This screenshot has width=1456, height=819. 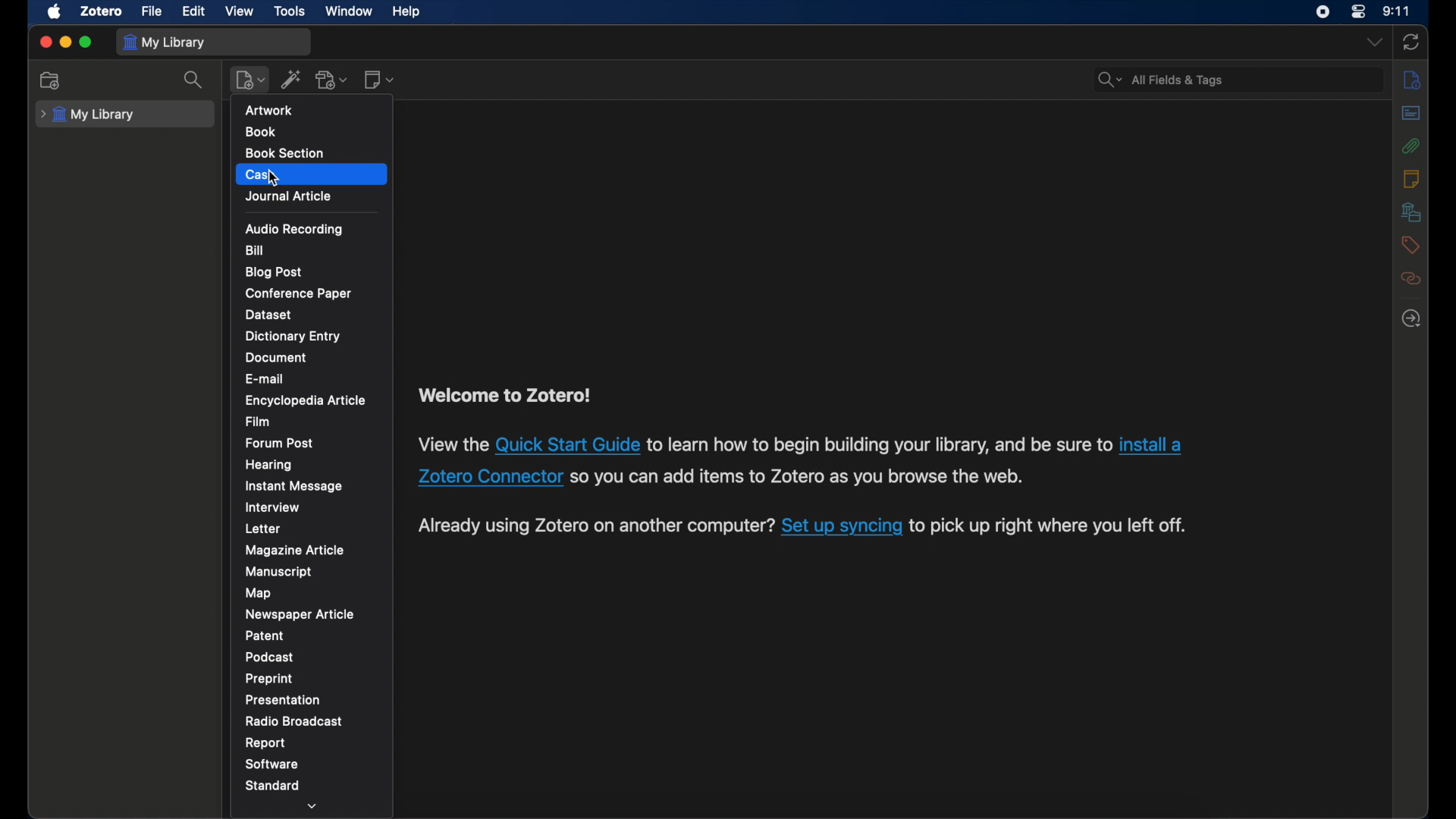 What do you see at coordinates (259, 131) in the screenshot?
I see `book` at bounding box center [259, 131].